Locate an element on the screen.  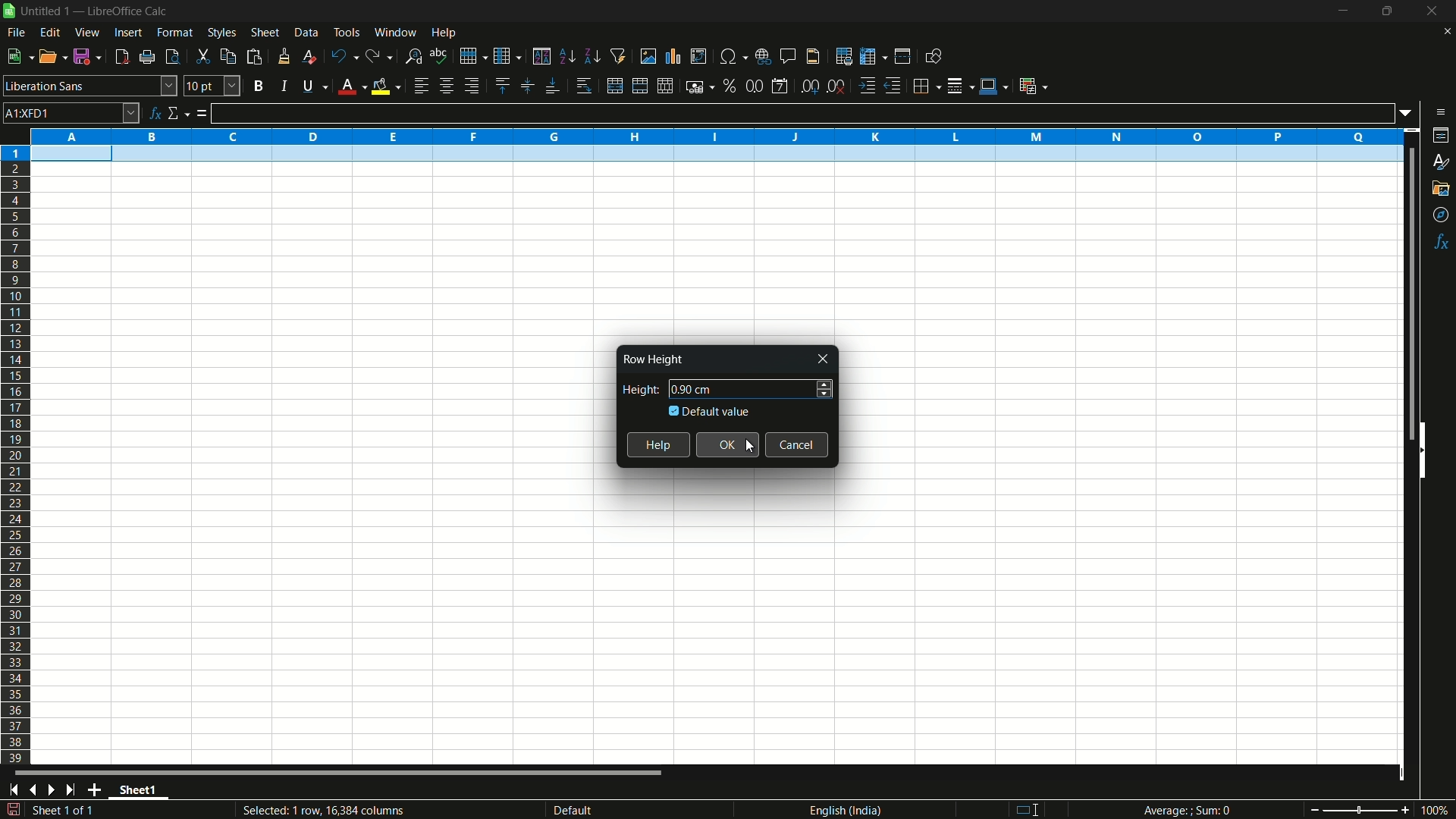
Row Height is located at coordinates (651, 359).